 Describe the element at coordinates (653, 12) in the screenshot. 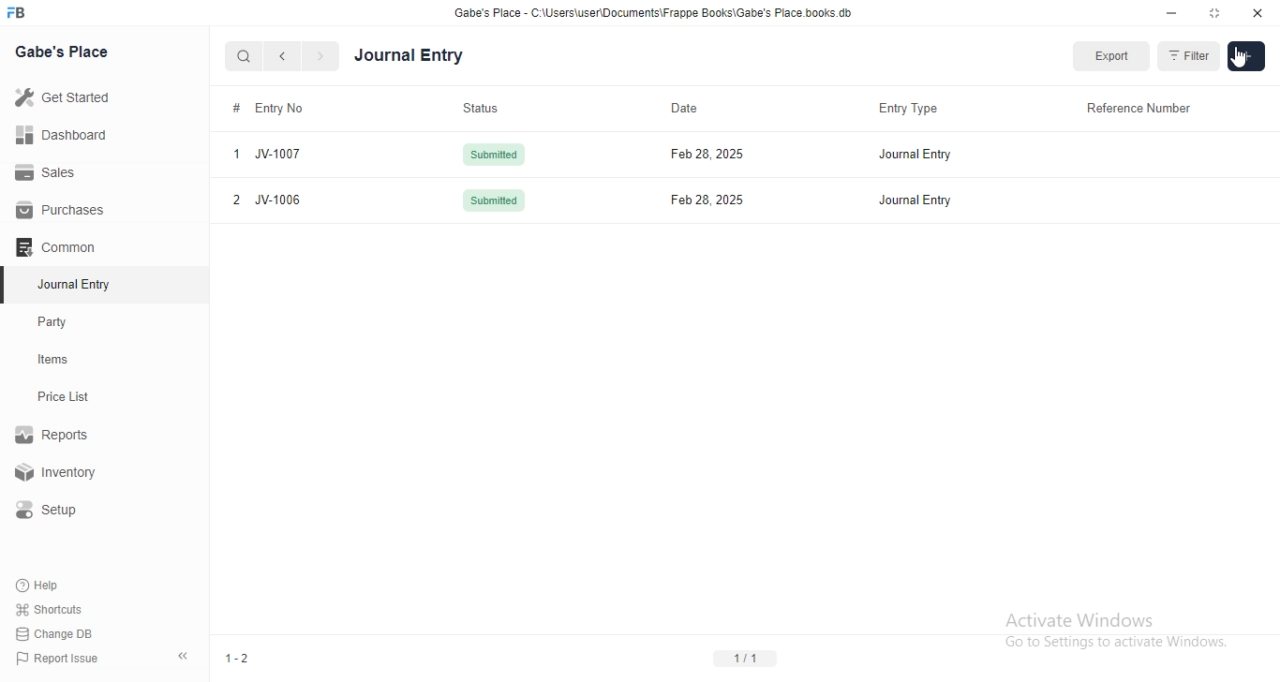

I see `‘Gabe's Place - C\UsersiuserDocuments\Frappe Books\Gabe's Place books db` at that location.